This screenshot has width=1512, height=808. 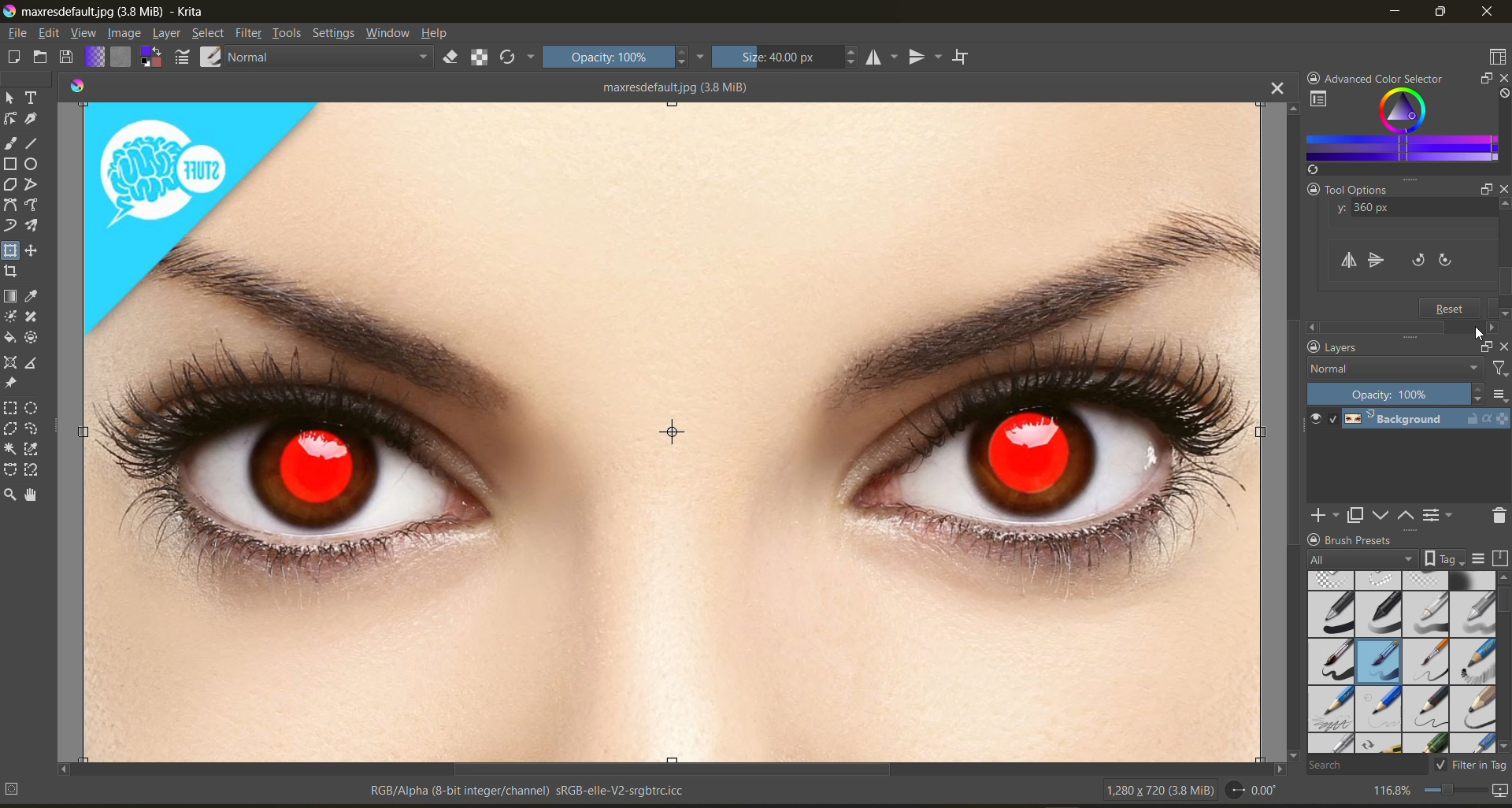 I want to click on display settings, so click(x=1480, y=557).